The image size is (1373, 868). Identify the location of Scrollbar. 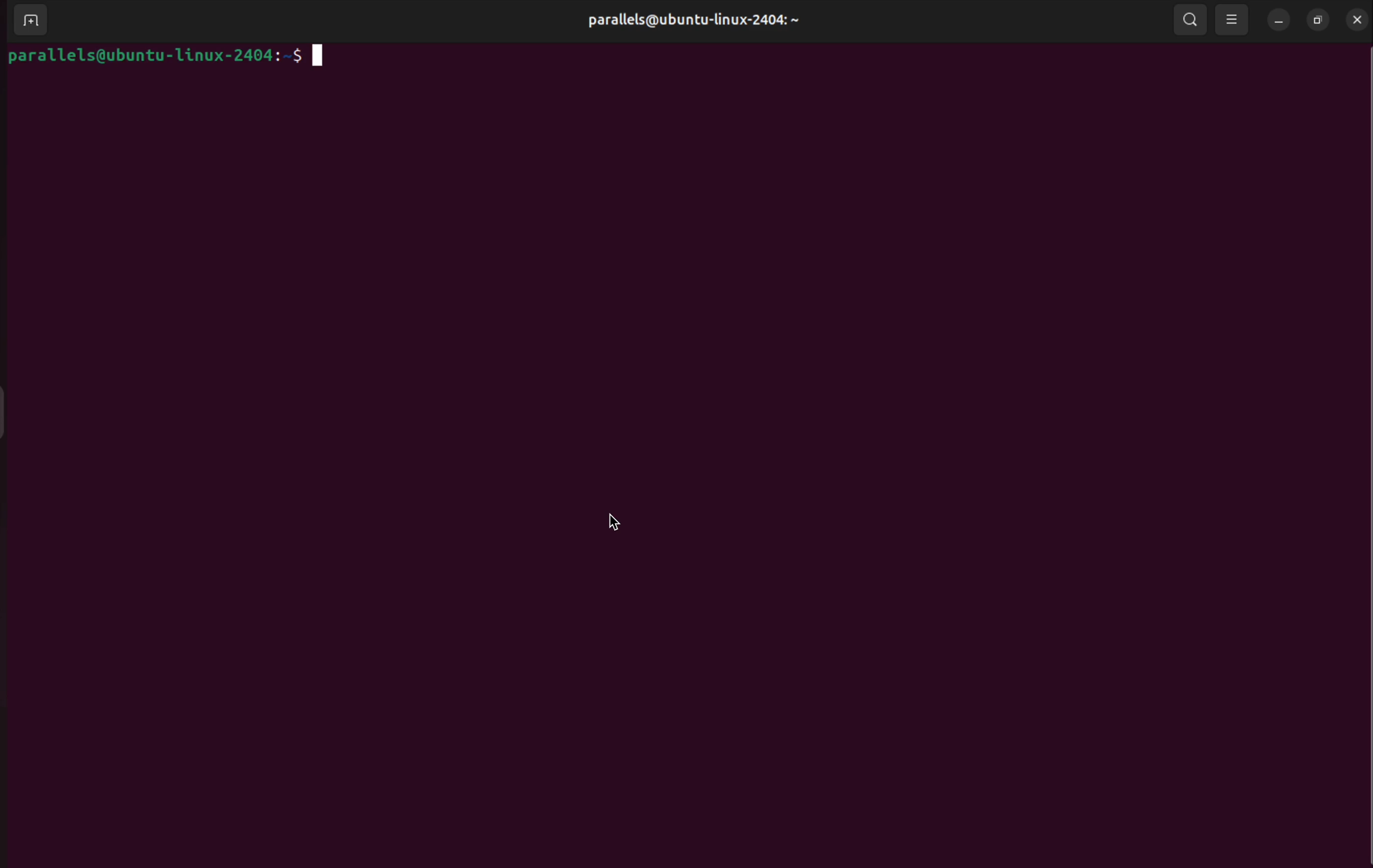
(1362, 423).